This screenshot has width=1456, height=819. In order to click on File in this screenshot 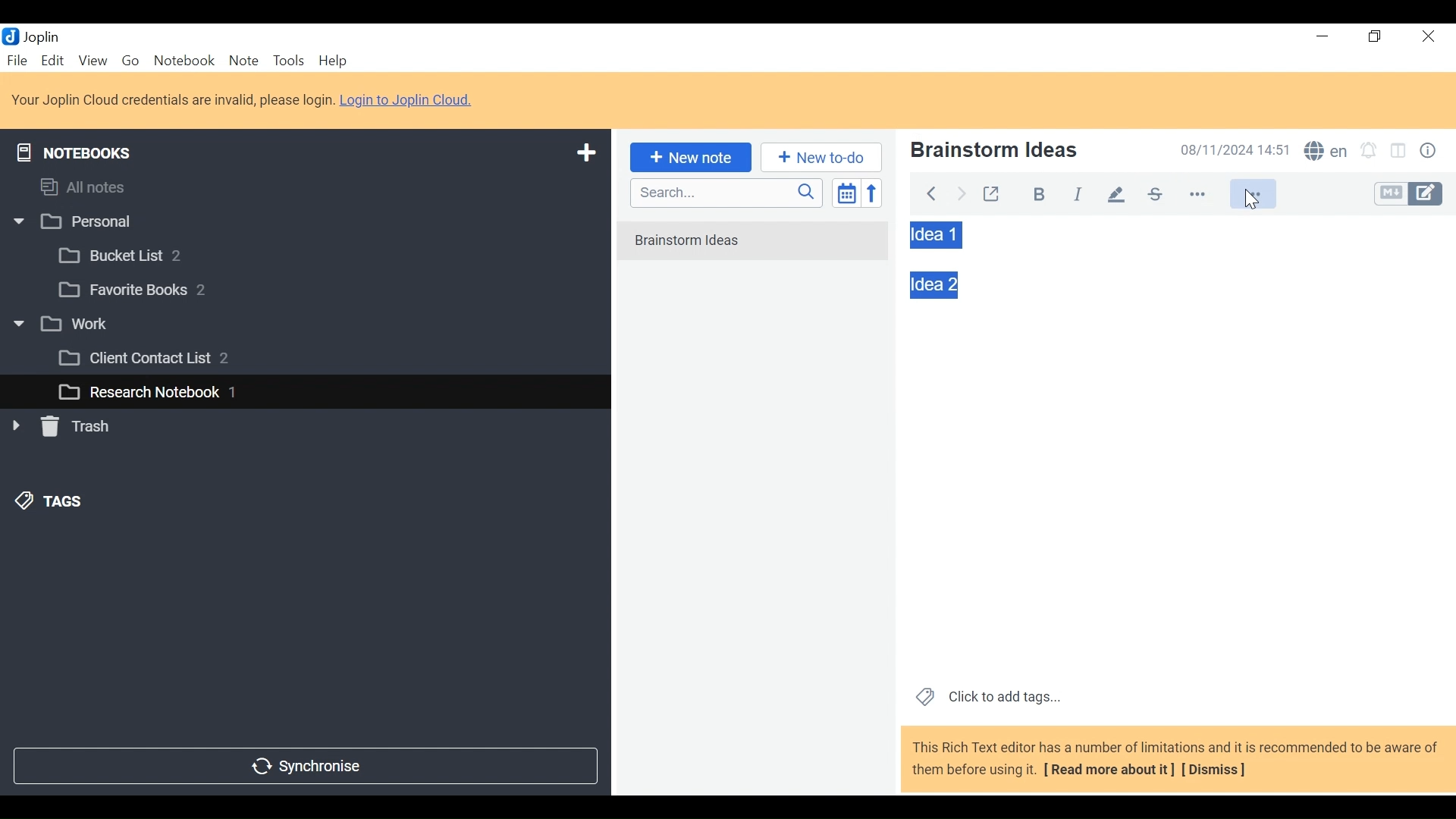, I will do `click(19, 60)`.